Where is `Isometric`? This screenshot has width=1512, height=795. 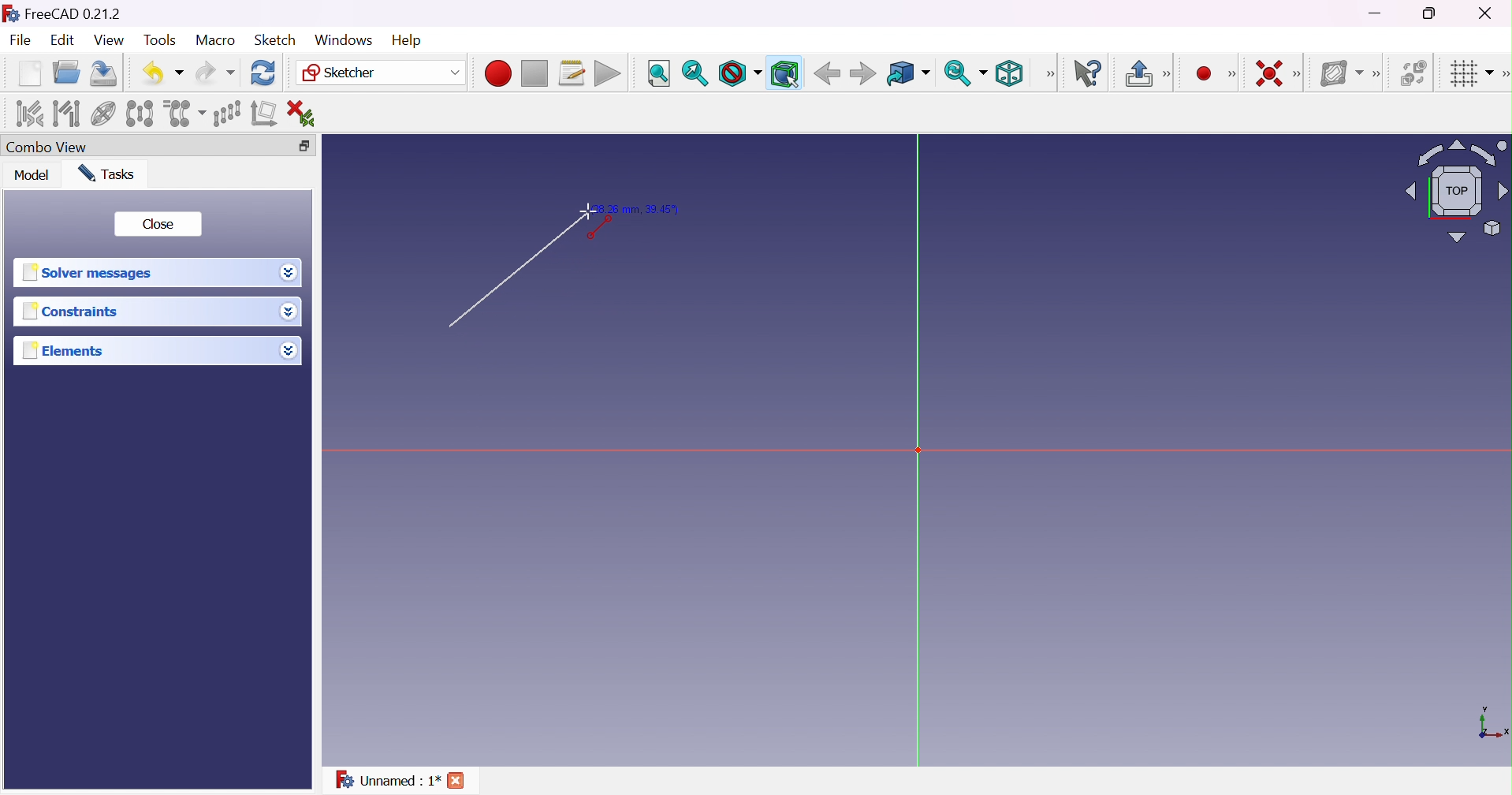
Isometric is located at coordinates (1013, 73).